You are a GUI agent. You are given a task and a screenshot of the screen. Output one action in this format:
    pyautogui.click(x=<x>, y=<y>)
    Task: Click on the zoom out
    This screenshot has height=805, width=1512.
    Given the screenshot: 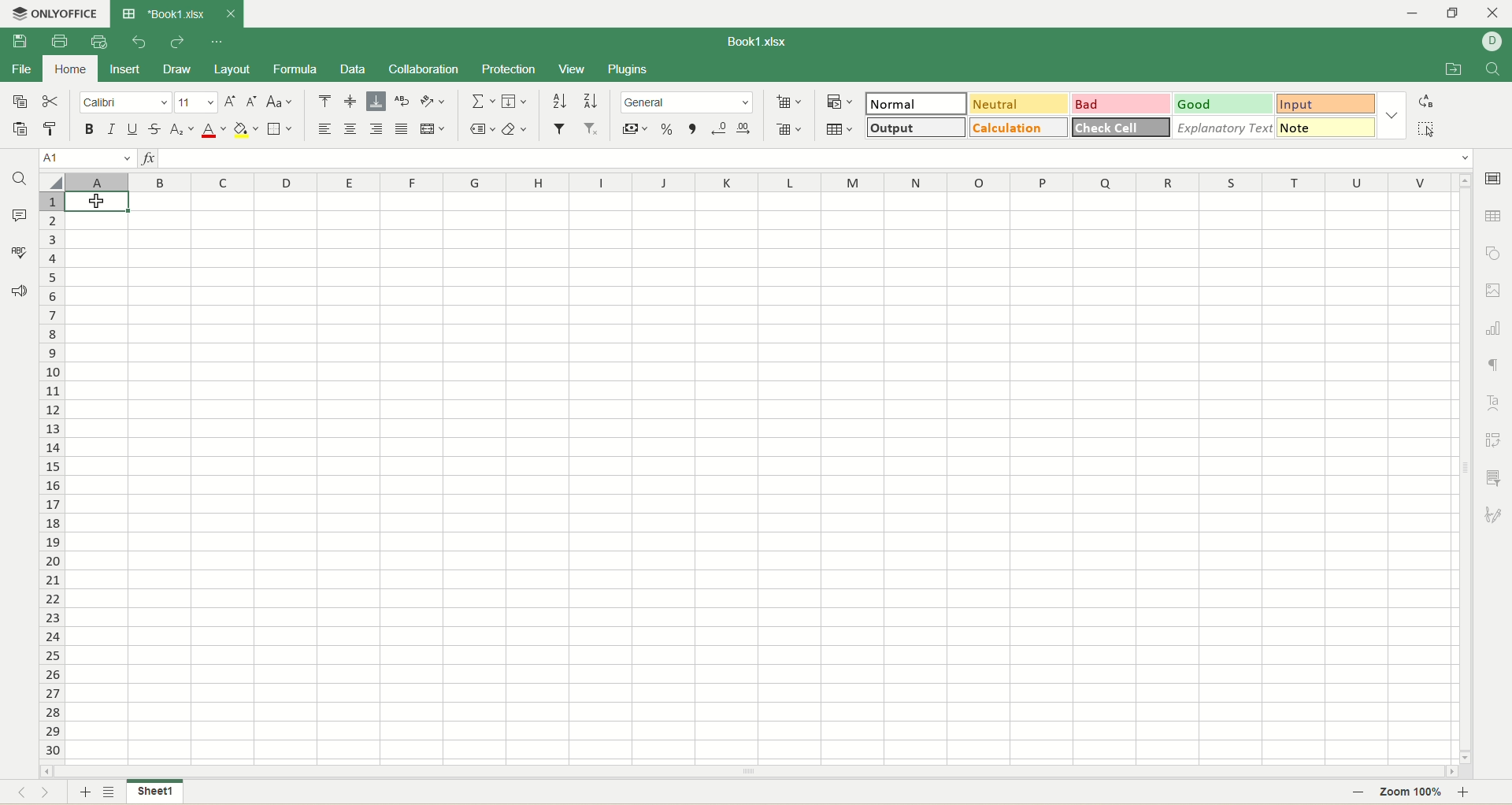 What is the action you would take?
    pyautogui.click(x=1358, y=793)
    